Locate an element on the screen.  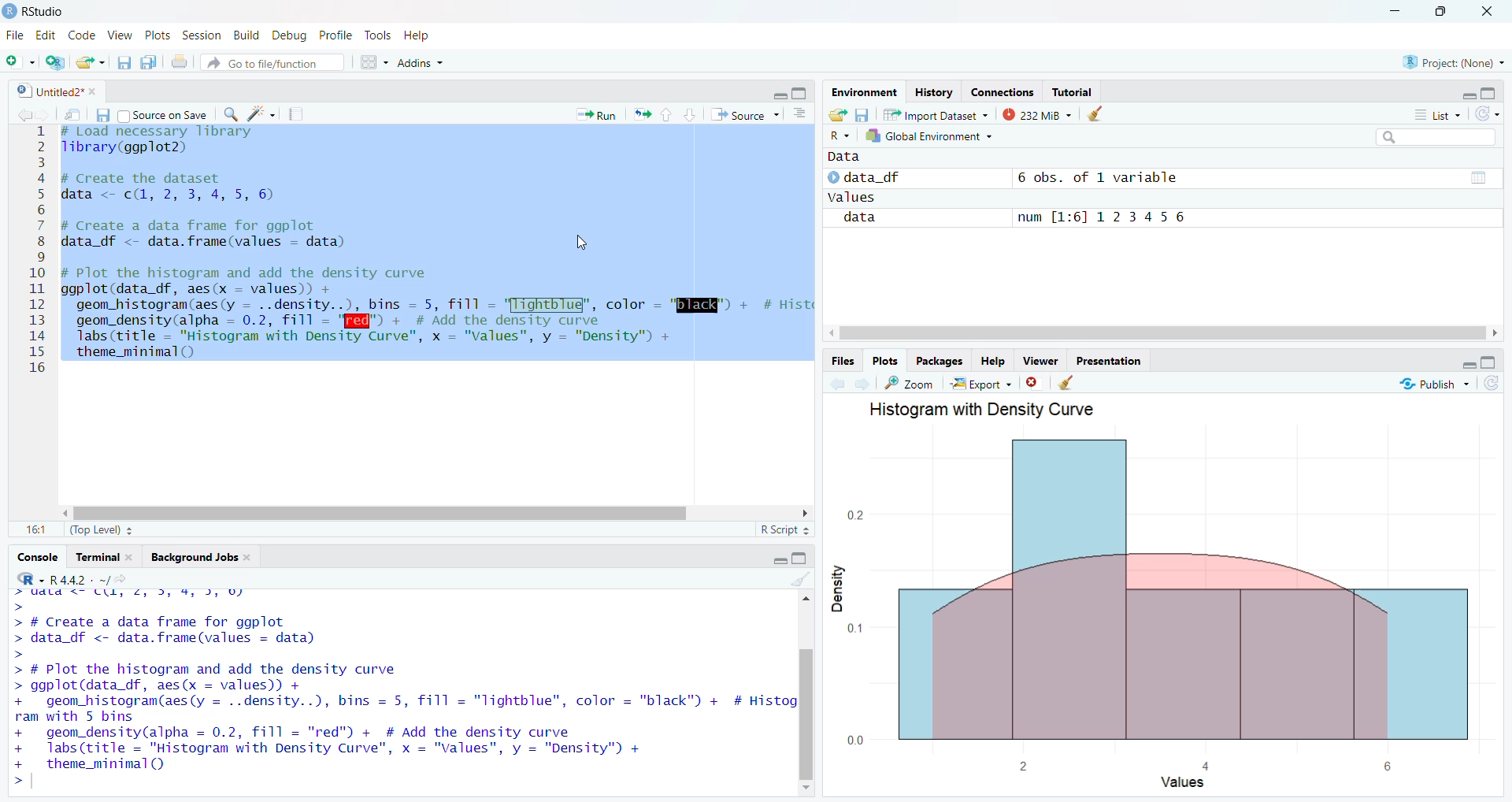
save current document is located at coordinates (124, 63).